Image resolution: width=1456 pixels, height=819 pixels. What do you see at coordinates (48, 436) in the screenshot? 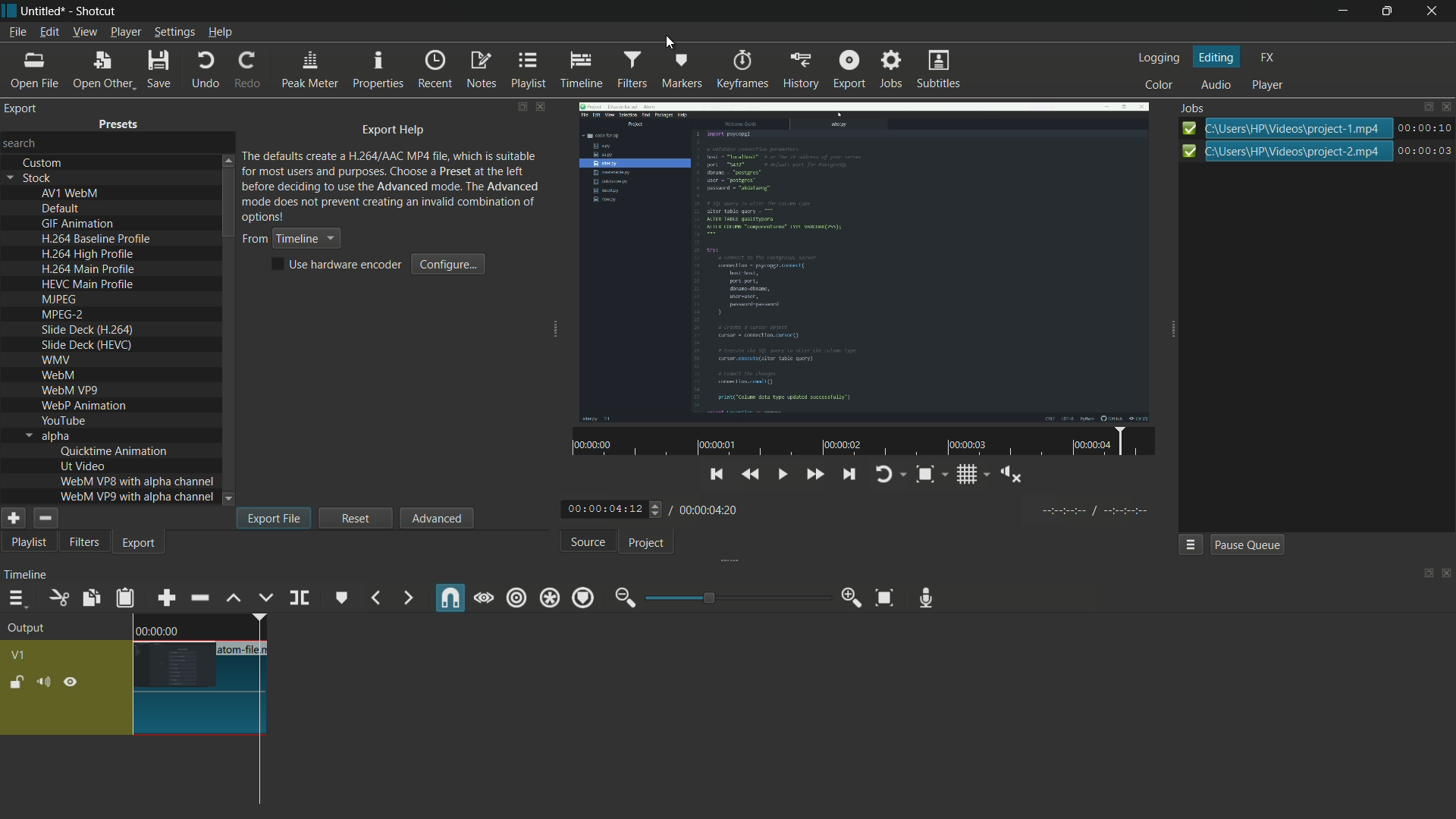
I see `alpha dropdown` at bounding box center [48, 436].